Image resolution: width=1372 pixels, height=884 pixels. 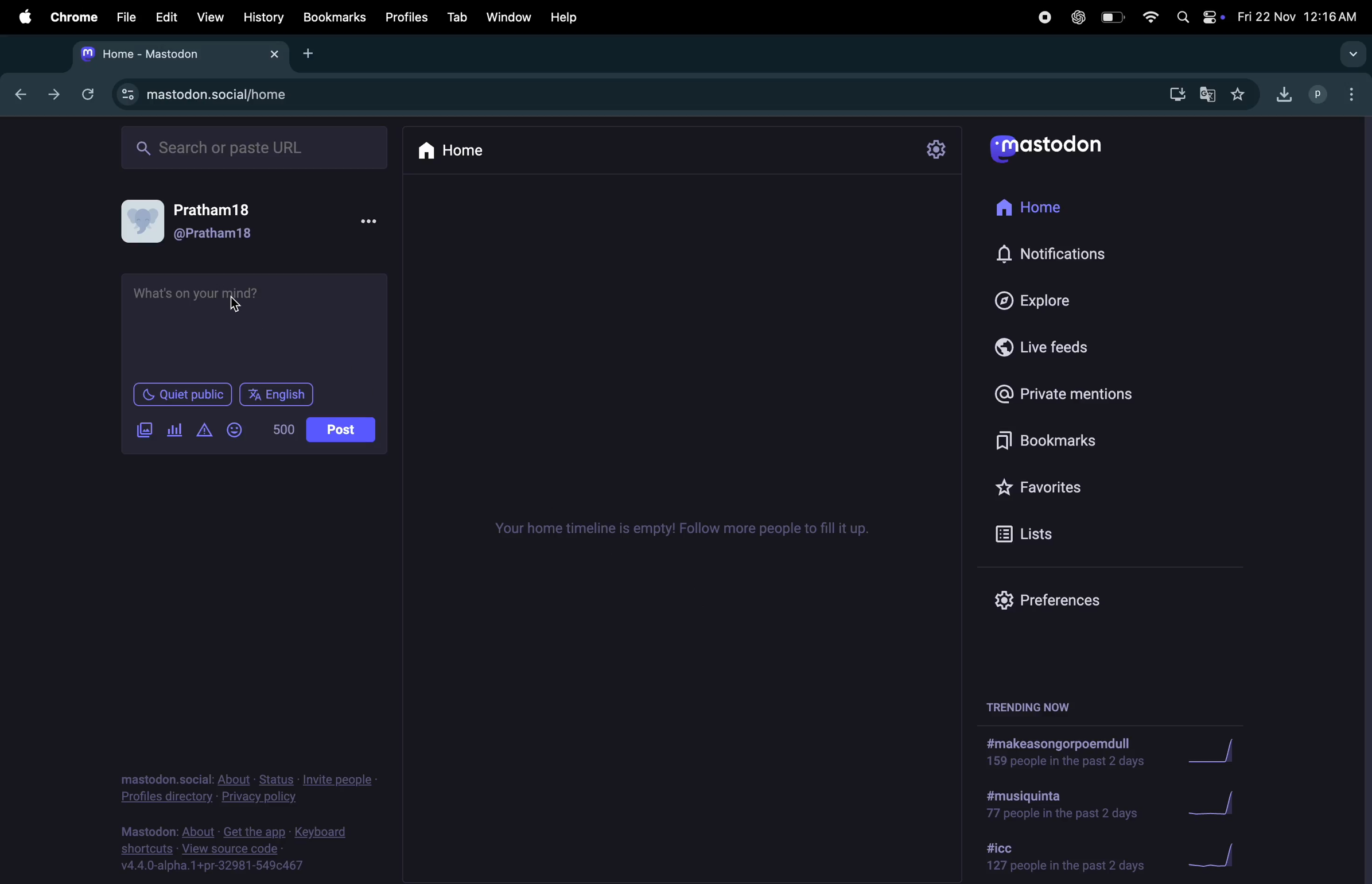 I want to click on settings, so click(x=936, y=147).